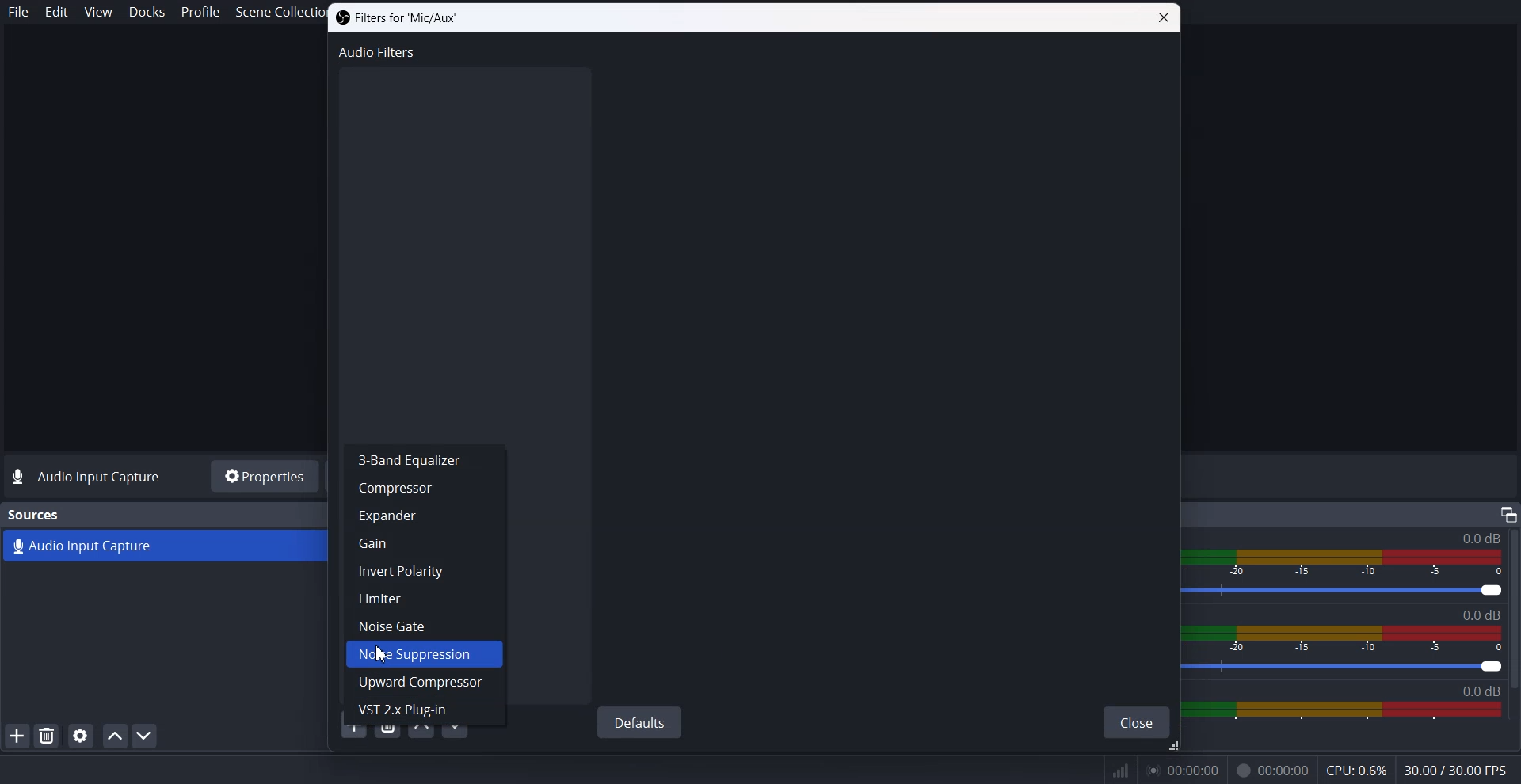 Image resolution: width=1521 pixels, height=784 pixels. I want to click on Noise Gate, so click(423, 625).